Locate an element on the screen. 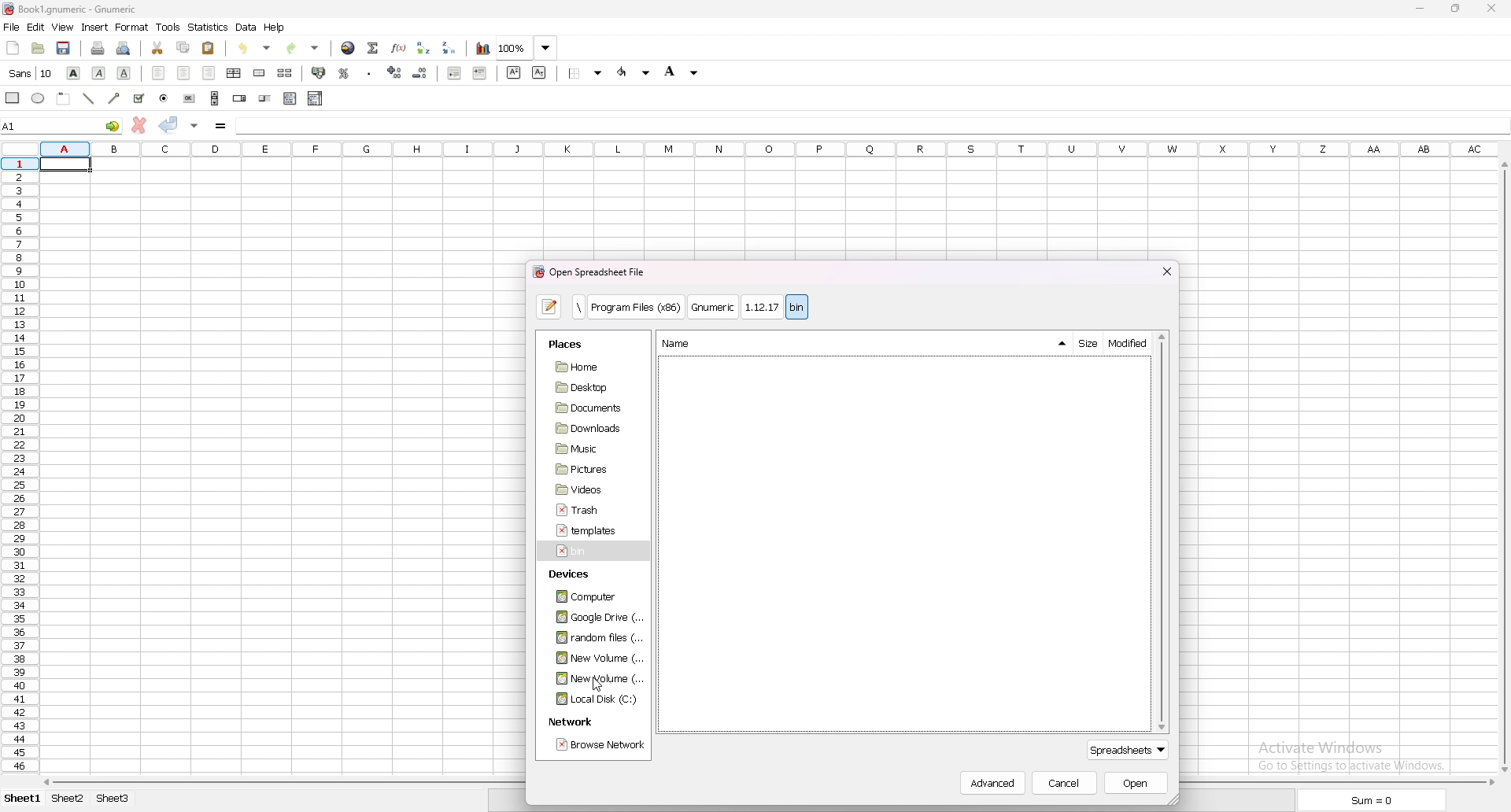 This screenshot has height=812, width=1511. subscript is located at coordinates (538, 72).